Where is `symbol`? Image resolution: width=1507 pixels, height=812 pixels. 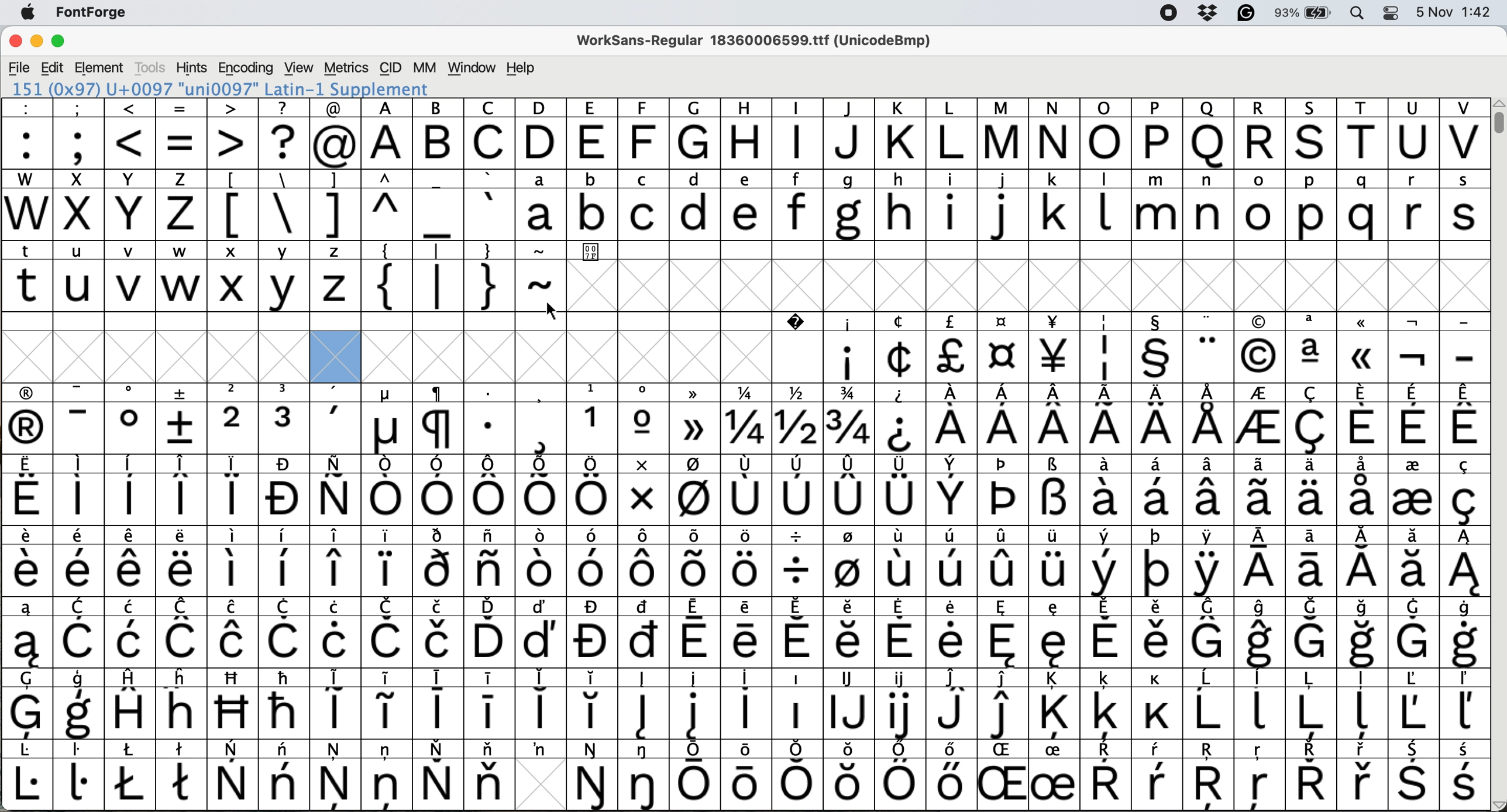
symbol is located at coordinates (232, 632).